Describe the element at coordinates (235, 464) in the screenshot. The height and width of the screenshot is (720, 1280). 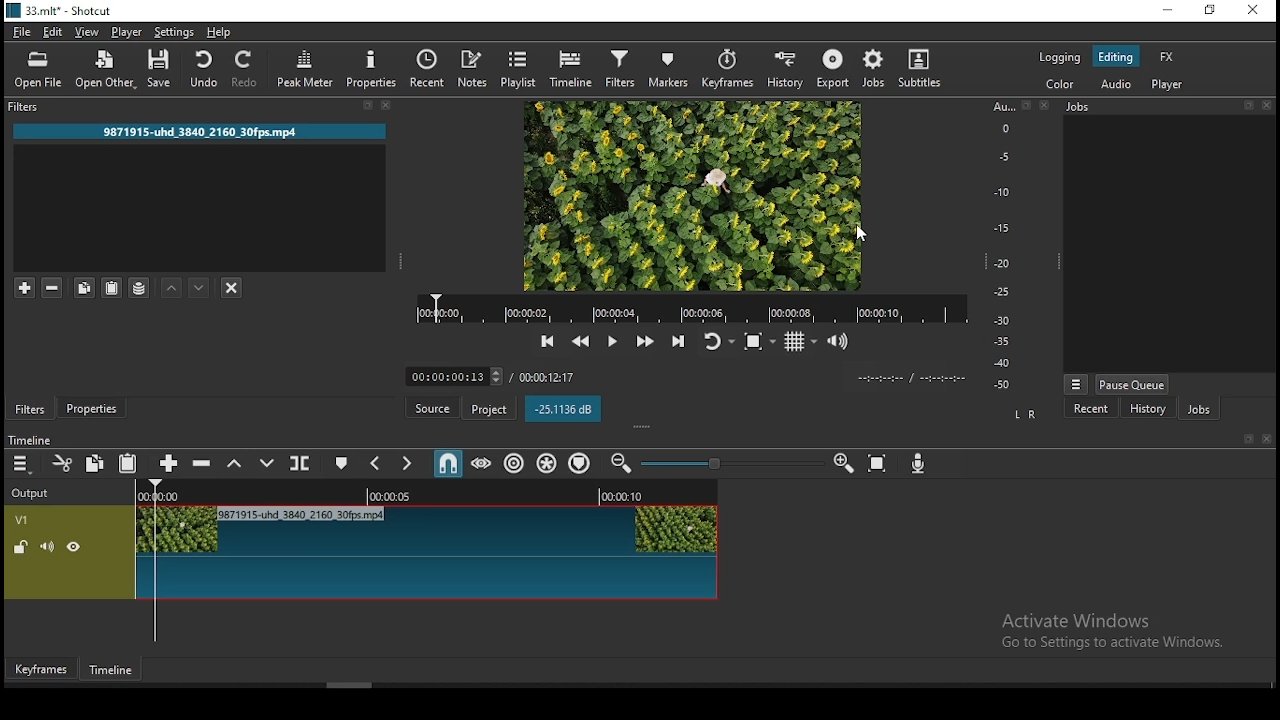
I see `lift` at that location.